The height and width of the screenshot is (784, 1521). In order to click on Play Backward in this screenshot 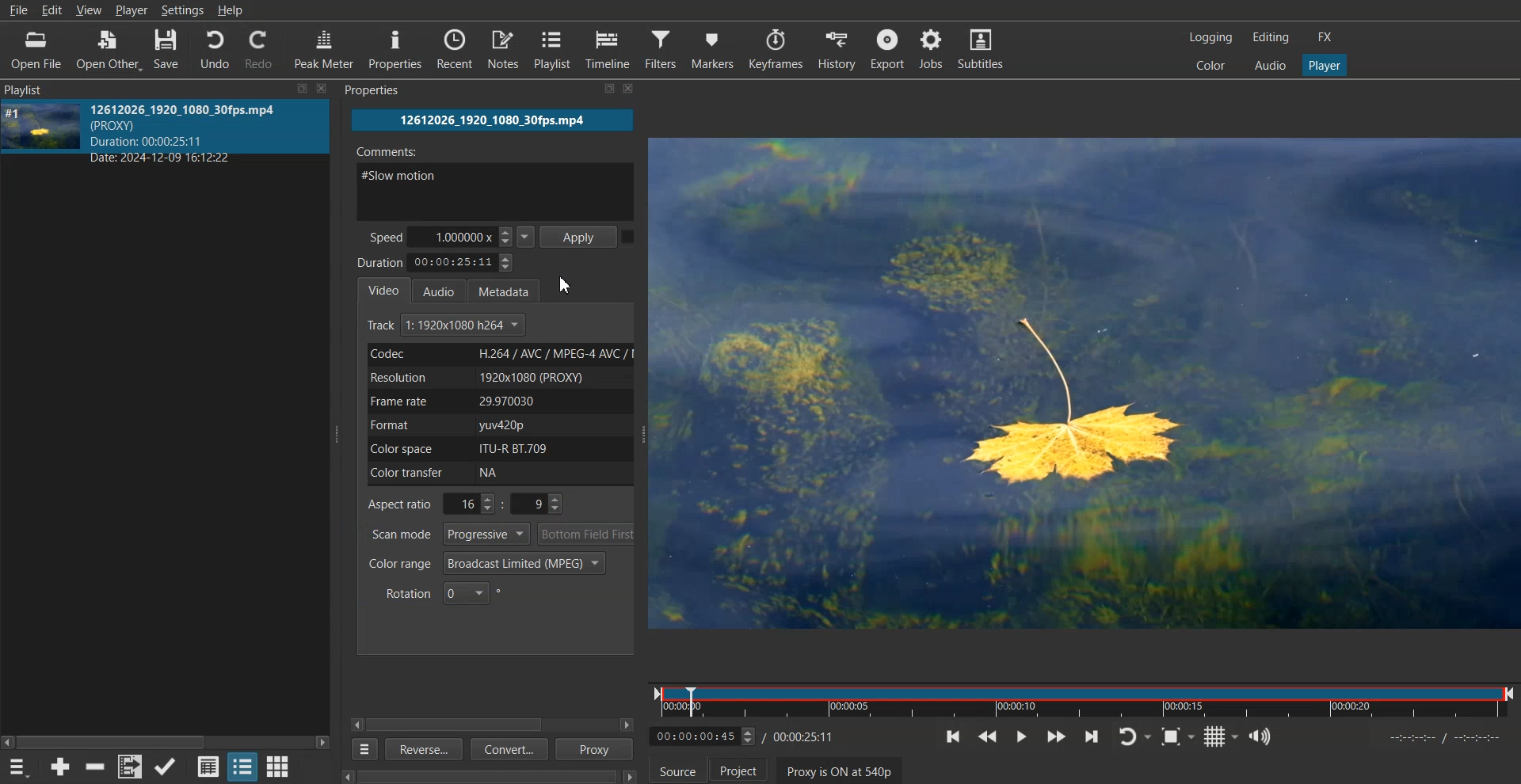, I will do `click(987, 736)`.